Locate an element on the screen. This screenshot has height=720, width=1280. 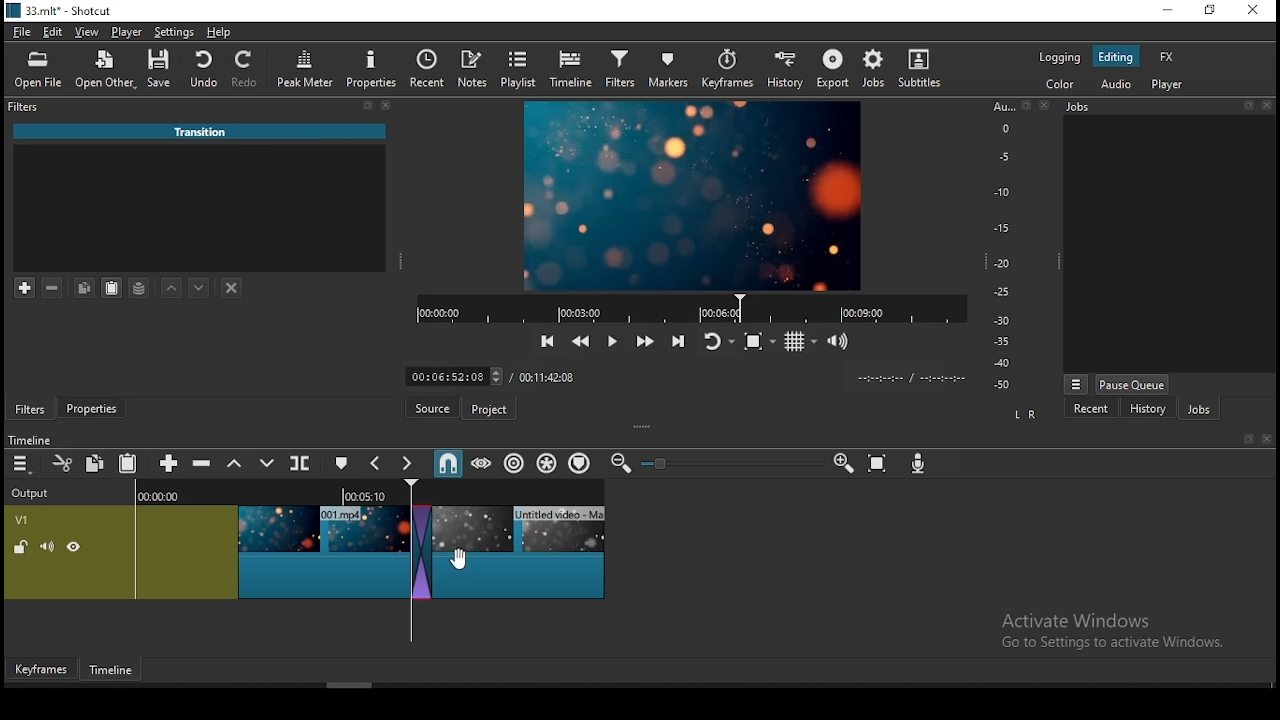
filters is located at coordinates (31, 409).